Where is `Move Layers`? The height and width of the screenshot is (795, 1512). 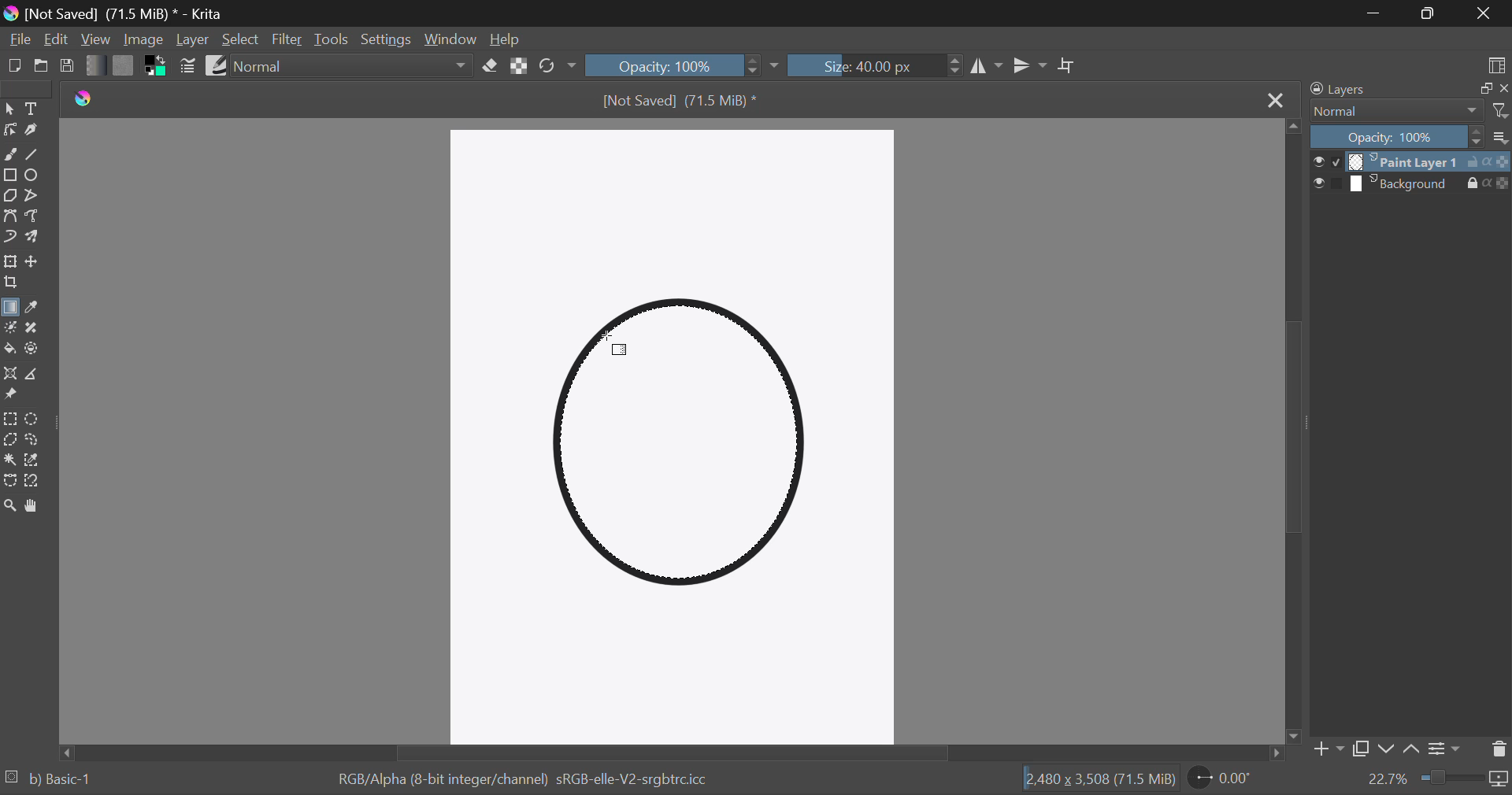 Move Layers is located at coordinates (35, 264).